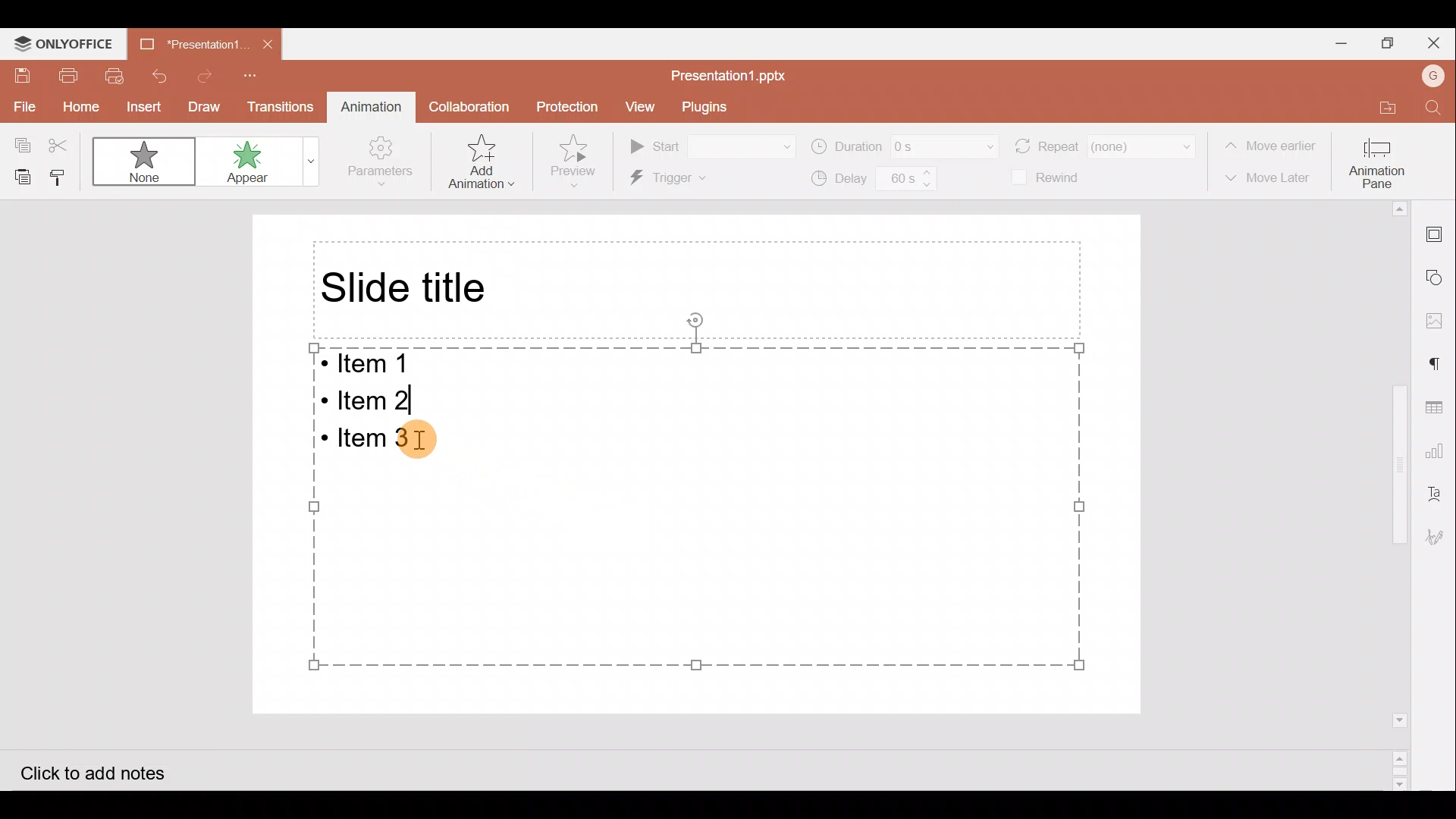 The image size is (1456, 819). Describe the element at coordinates (409, 287) in the screenshot. I see `Slide title` at that location.